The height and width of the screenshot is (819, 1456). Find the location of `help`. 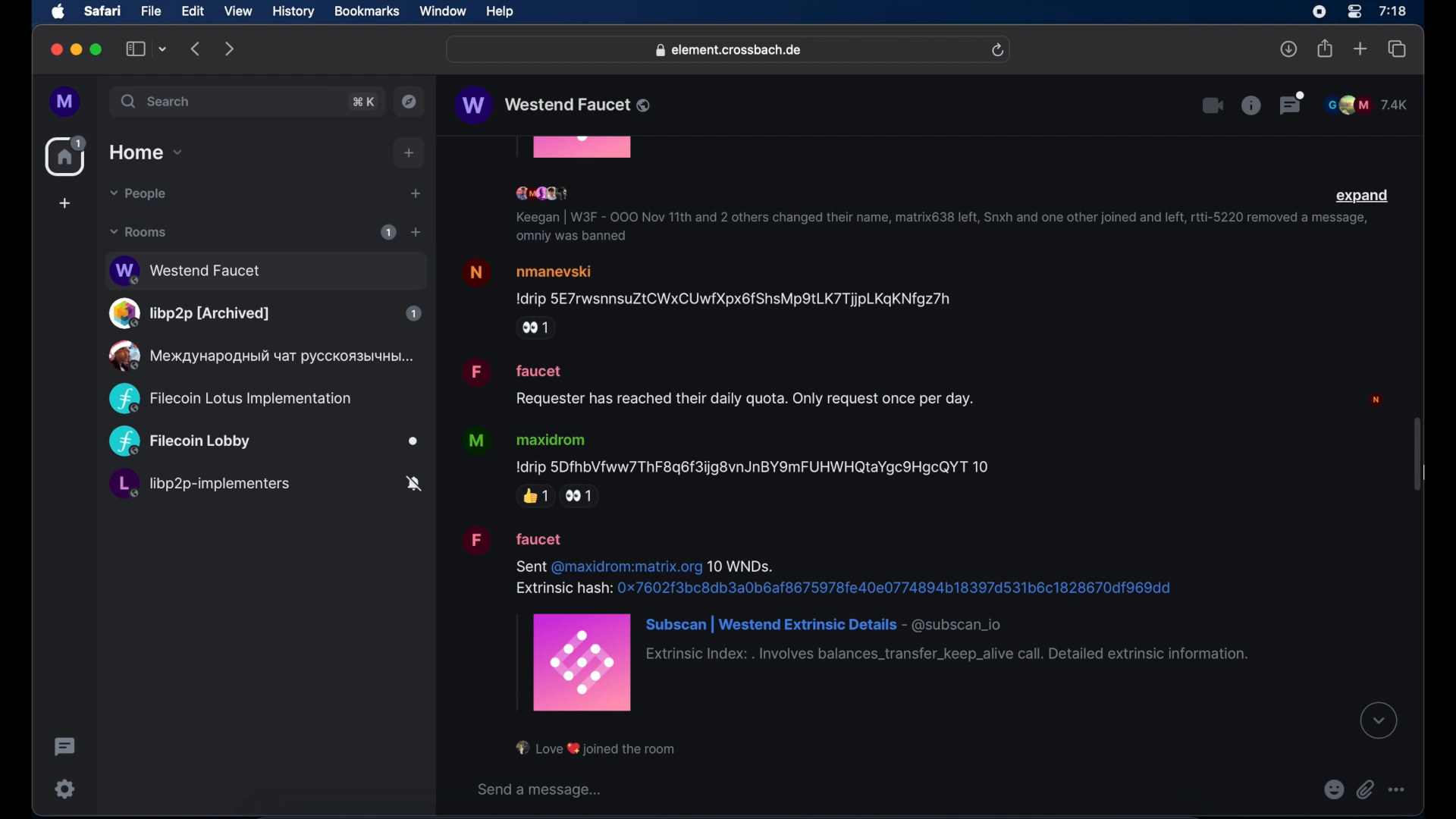

help is located at coordinates (500, 12).